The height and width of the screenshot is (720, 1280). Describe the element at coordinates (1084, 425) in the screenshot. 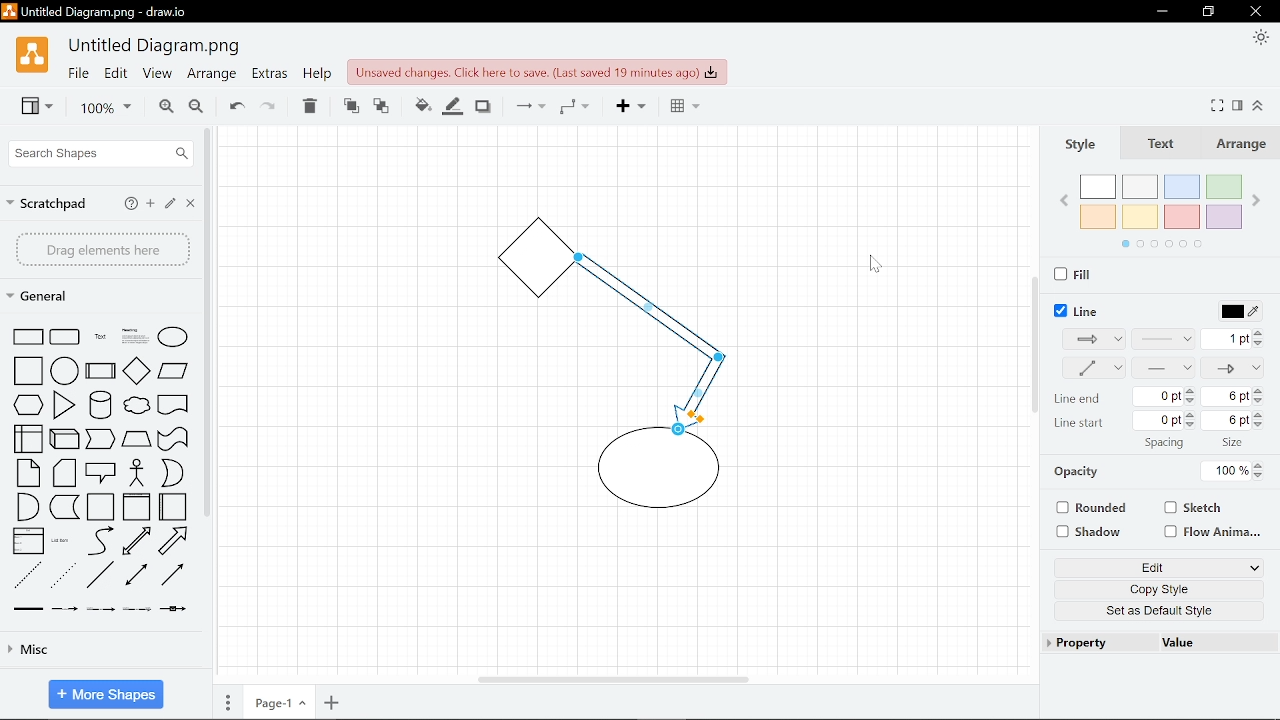

I see `Line starts` at that location.